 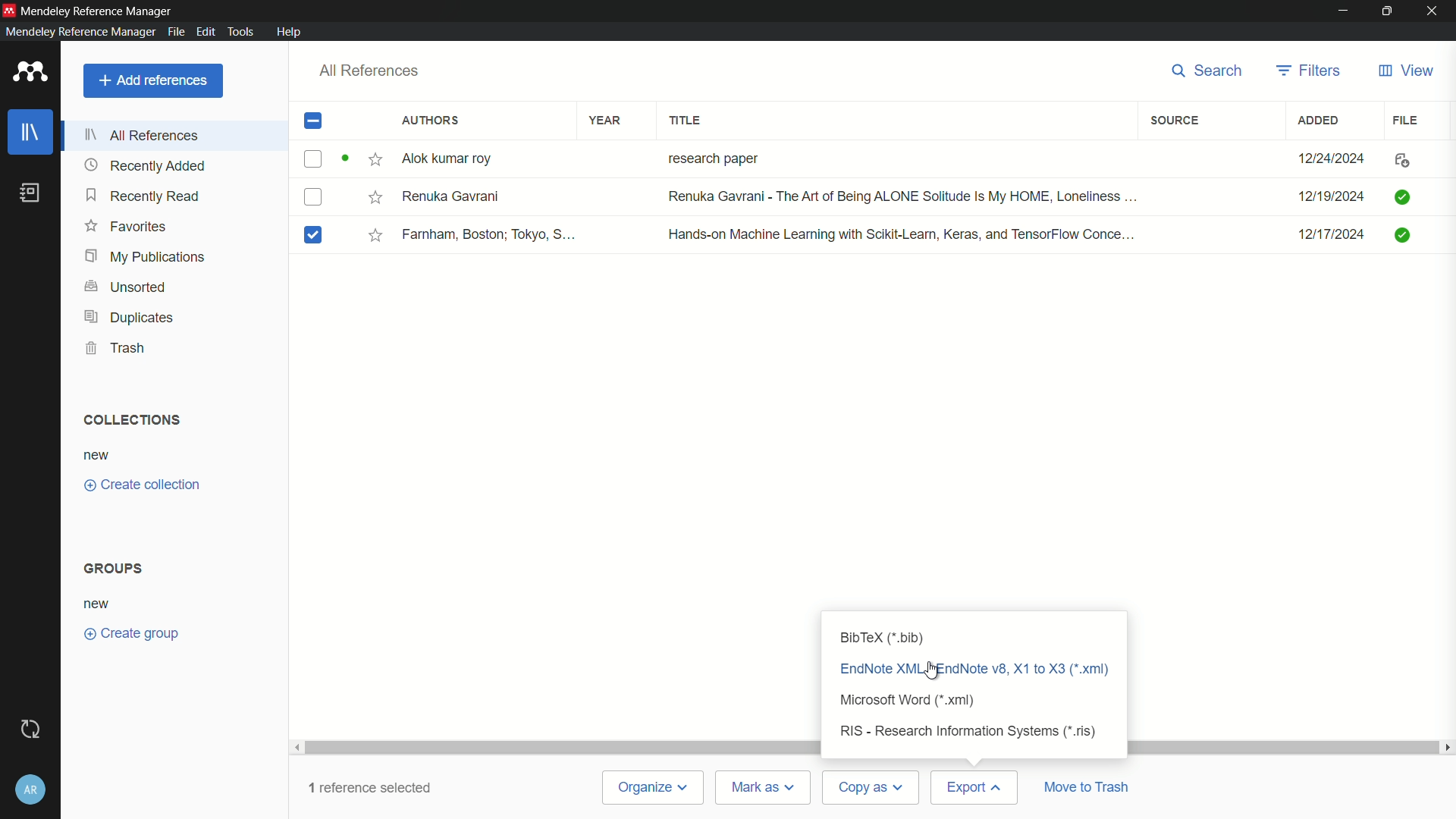 I want to click on maximize, so click(x=1387, y=11).